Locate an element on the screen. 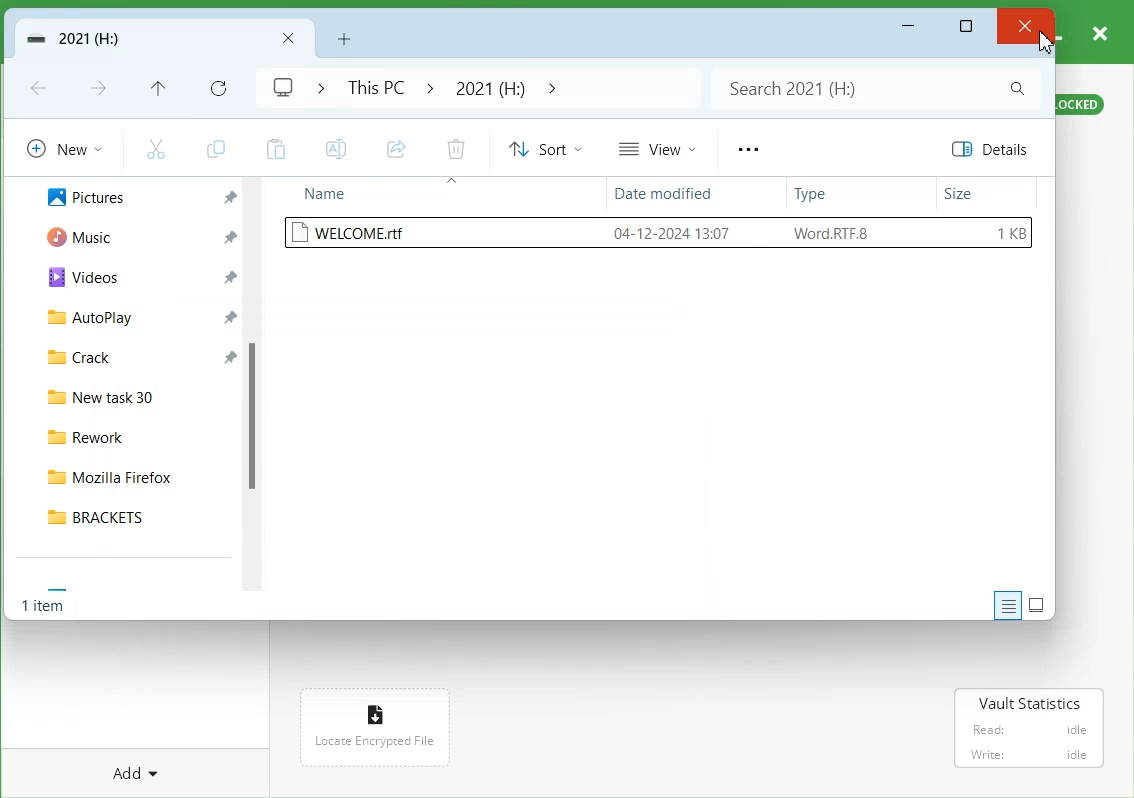  View  is located at coordinates (656, 148).